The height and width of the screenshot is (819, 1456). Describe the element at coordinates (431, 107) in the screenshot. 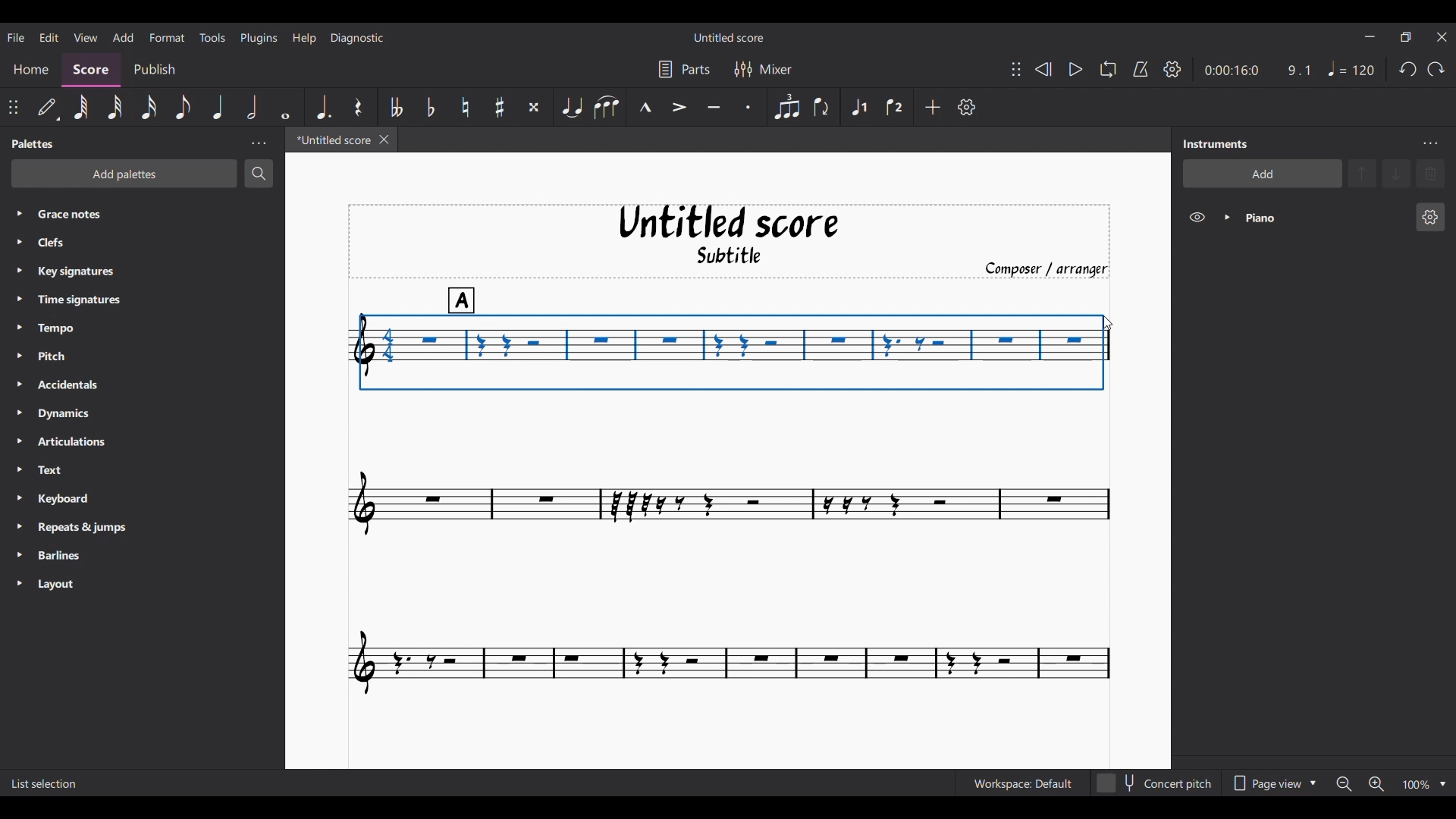

I see `Toggle flat` at that location.